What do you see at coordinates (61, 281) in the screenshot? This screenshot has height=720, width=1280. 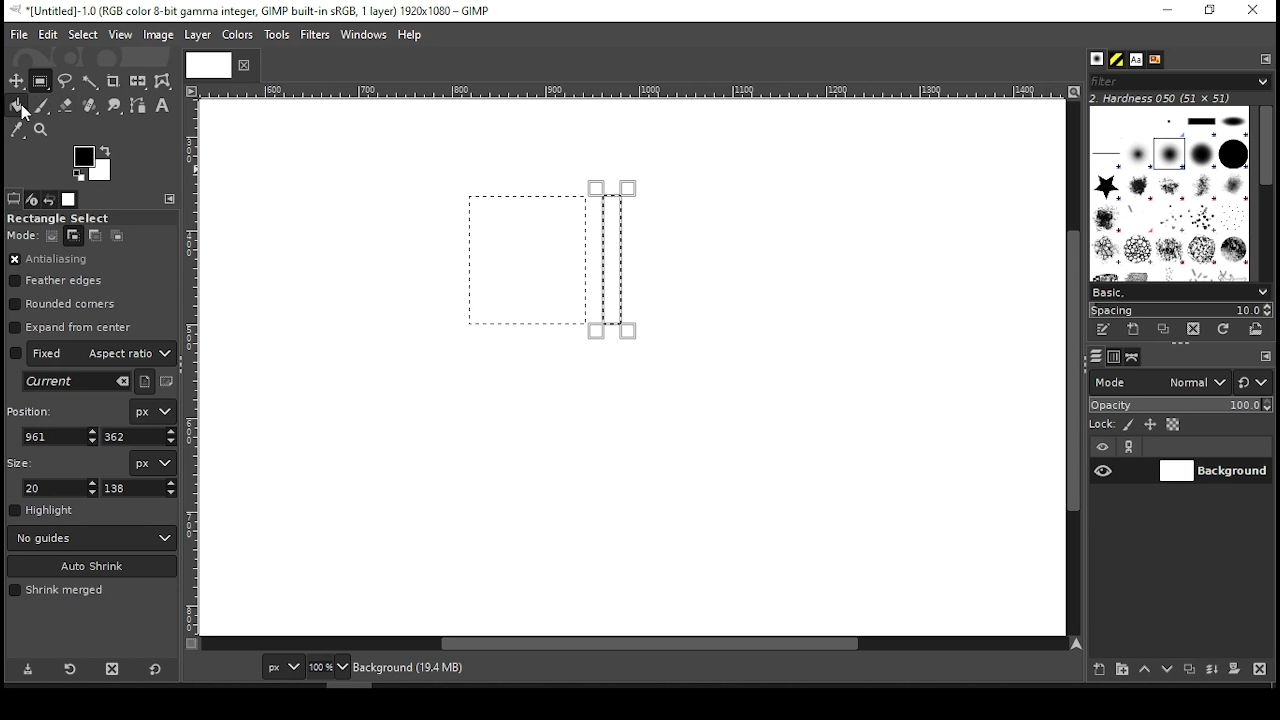 I see `feather edges` at bounding box center [61, 281].